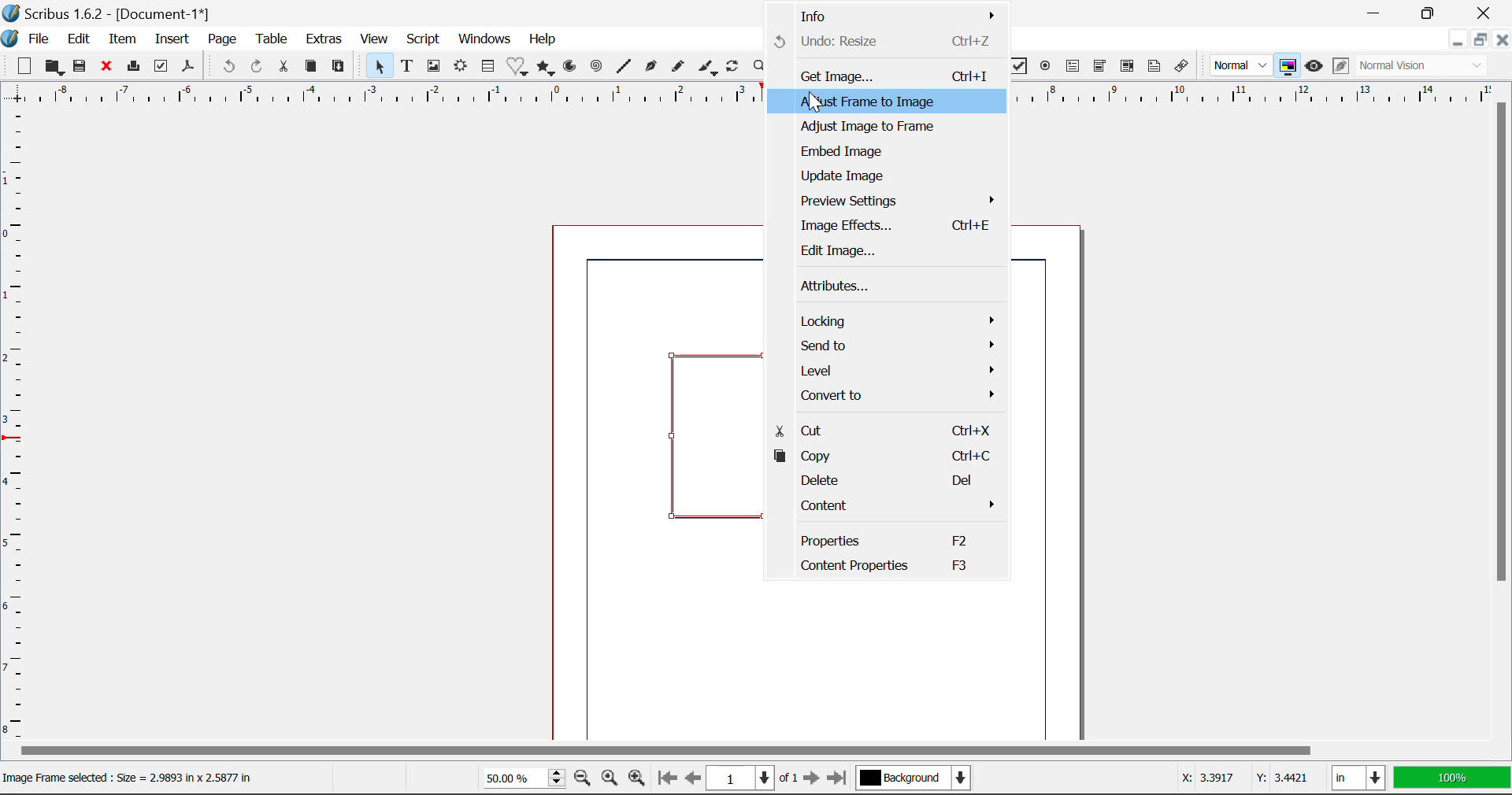 The image size is (1512, 795). Describe the element at coordinates (912, 775) in the screenshot. I see `Page Background` at that location.